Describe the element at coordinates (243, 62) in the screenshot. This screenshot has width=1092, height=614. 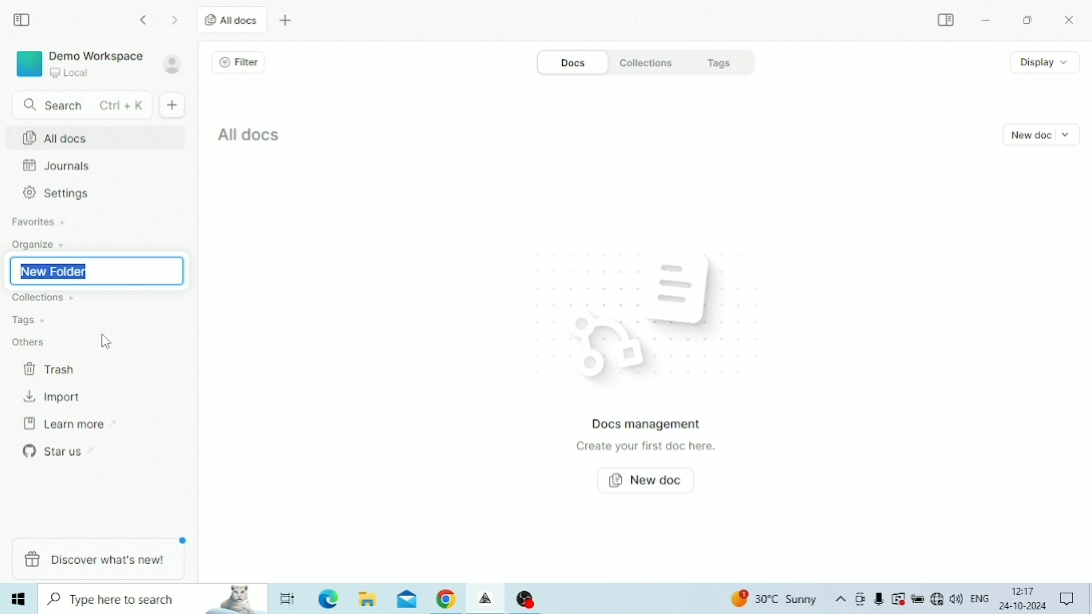
I see `Filter` at that location.